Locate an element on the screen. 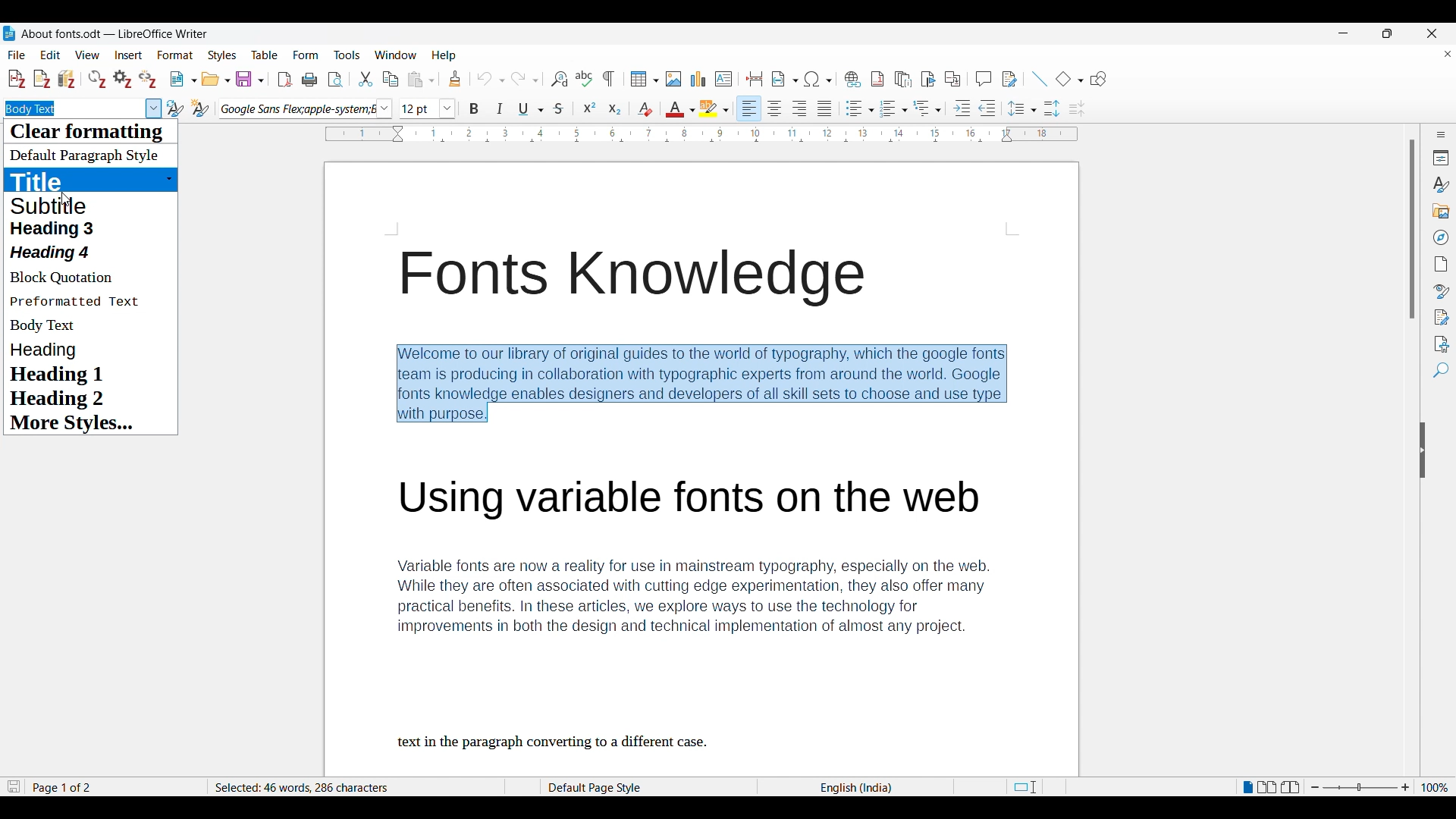 This screenshot has height=819, width=1456. Set document preferences is located at coordinates (123, 79).